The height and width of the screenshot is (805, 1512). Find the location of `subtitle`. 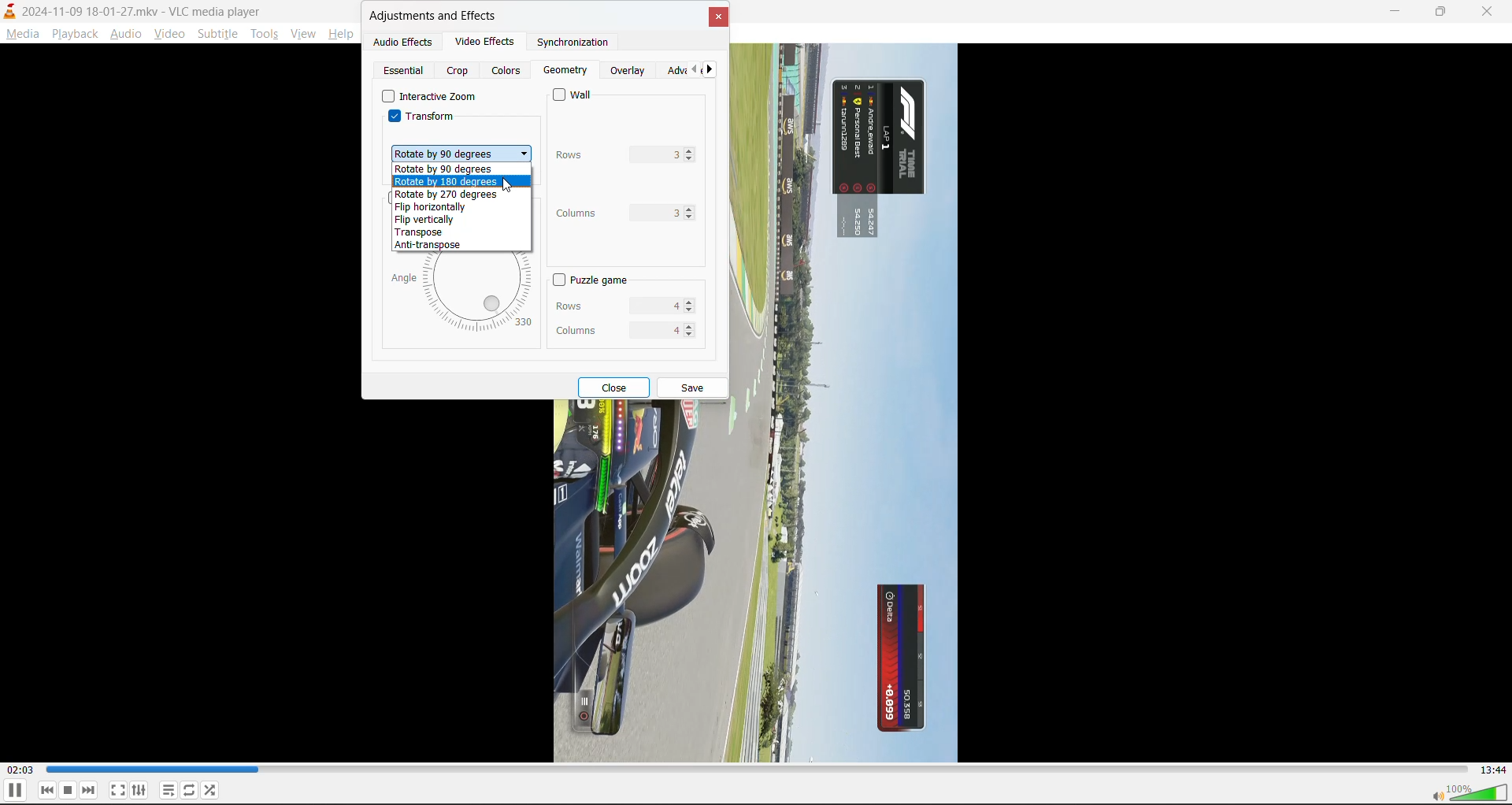

subtitle is located at coordinates (220, 35).